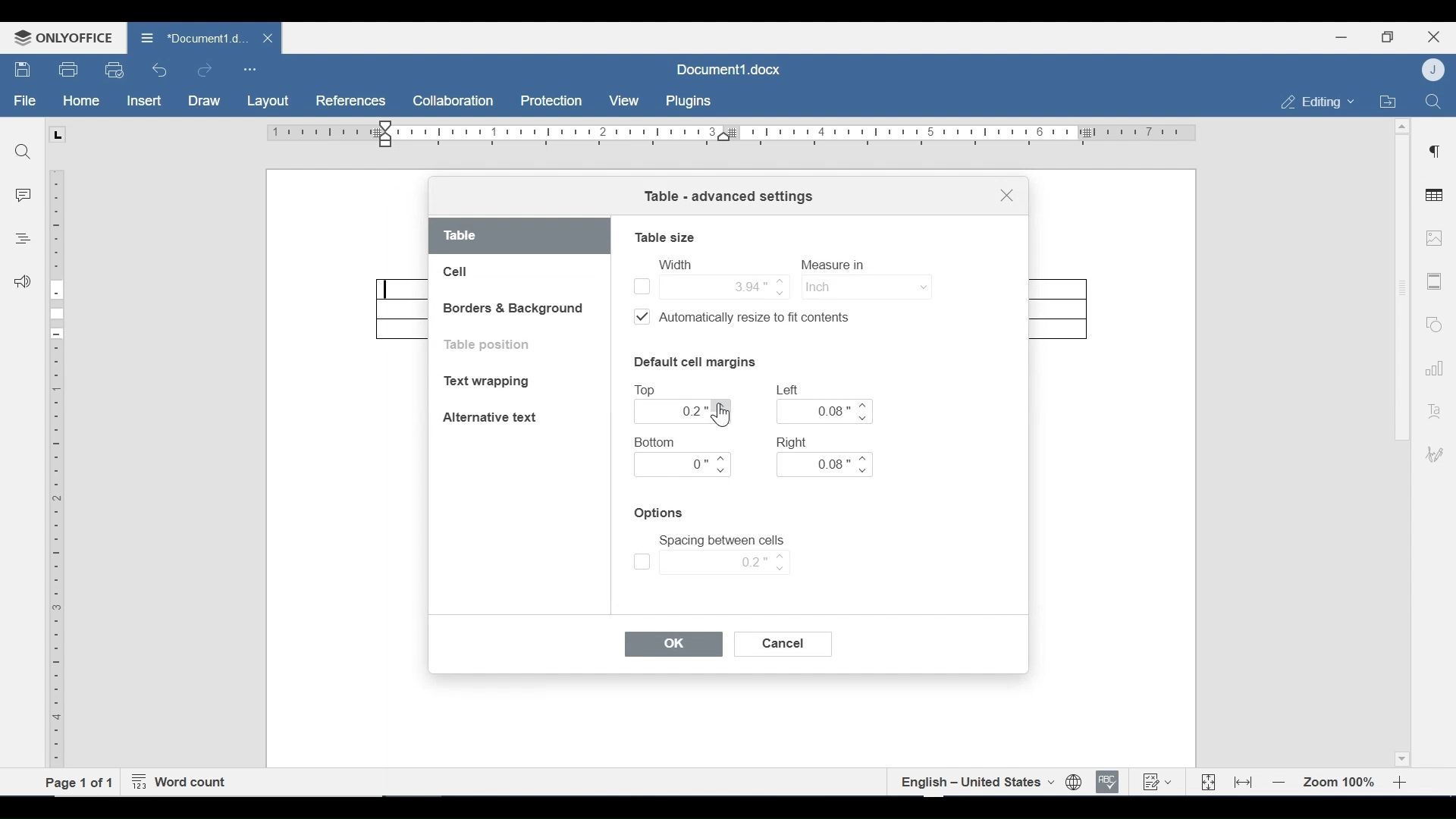  Describe the element at coordinates (1434, 237) in the screenshot. I see `image` at that location.